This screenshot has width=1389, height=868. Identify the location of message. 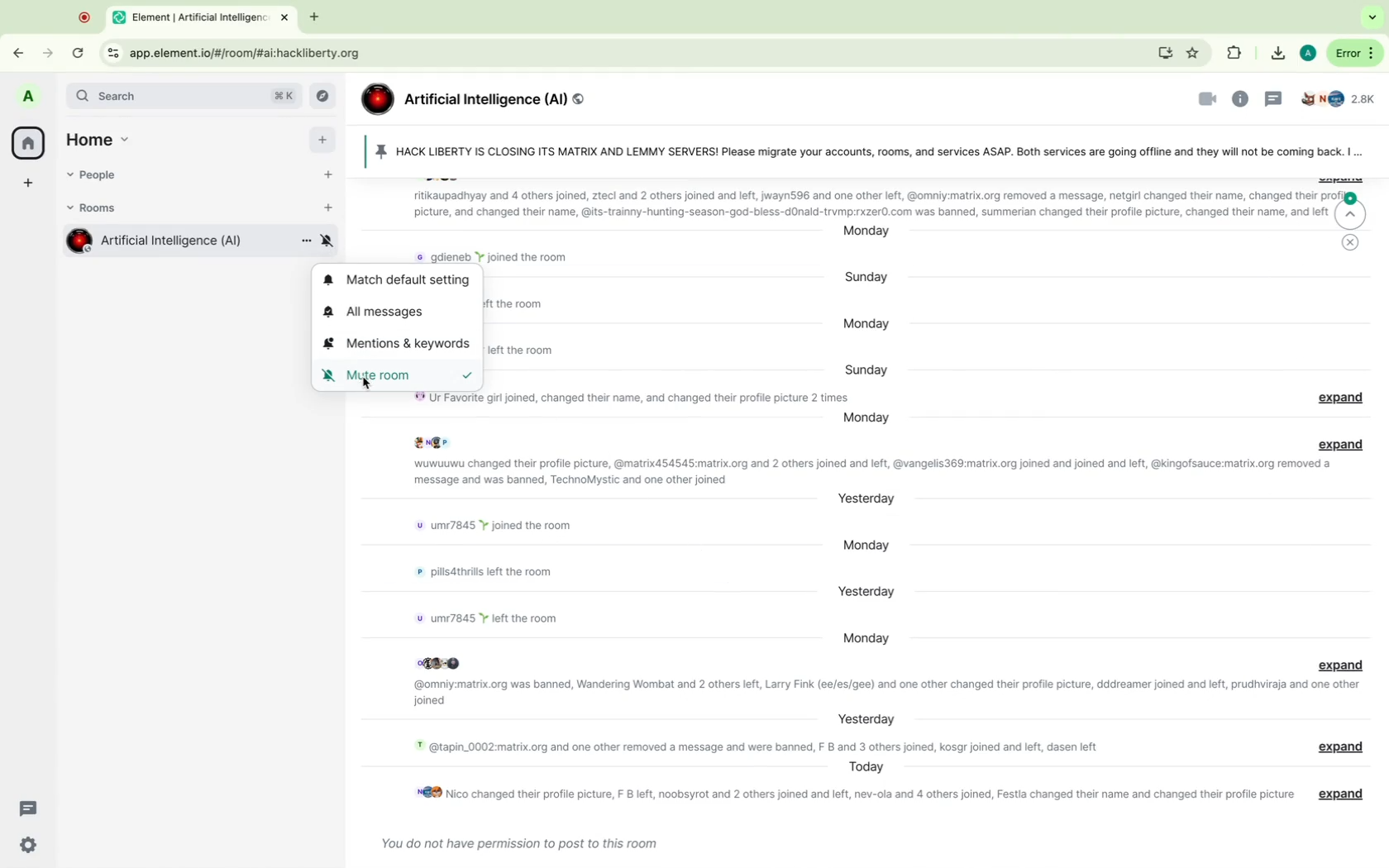
(491, 574).